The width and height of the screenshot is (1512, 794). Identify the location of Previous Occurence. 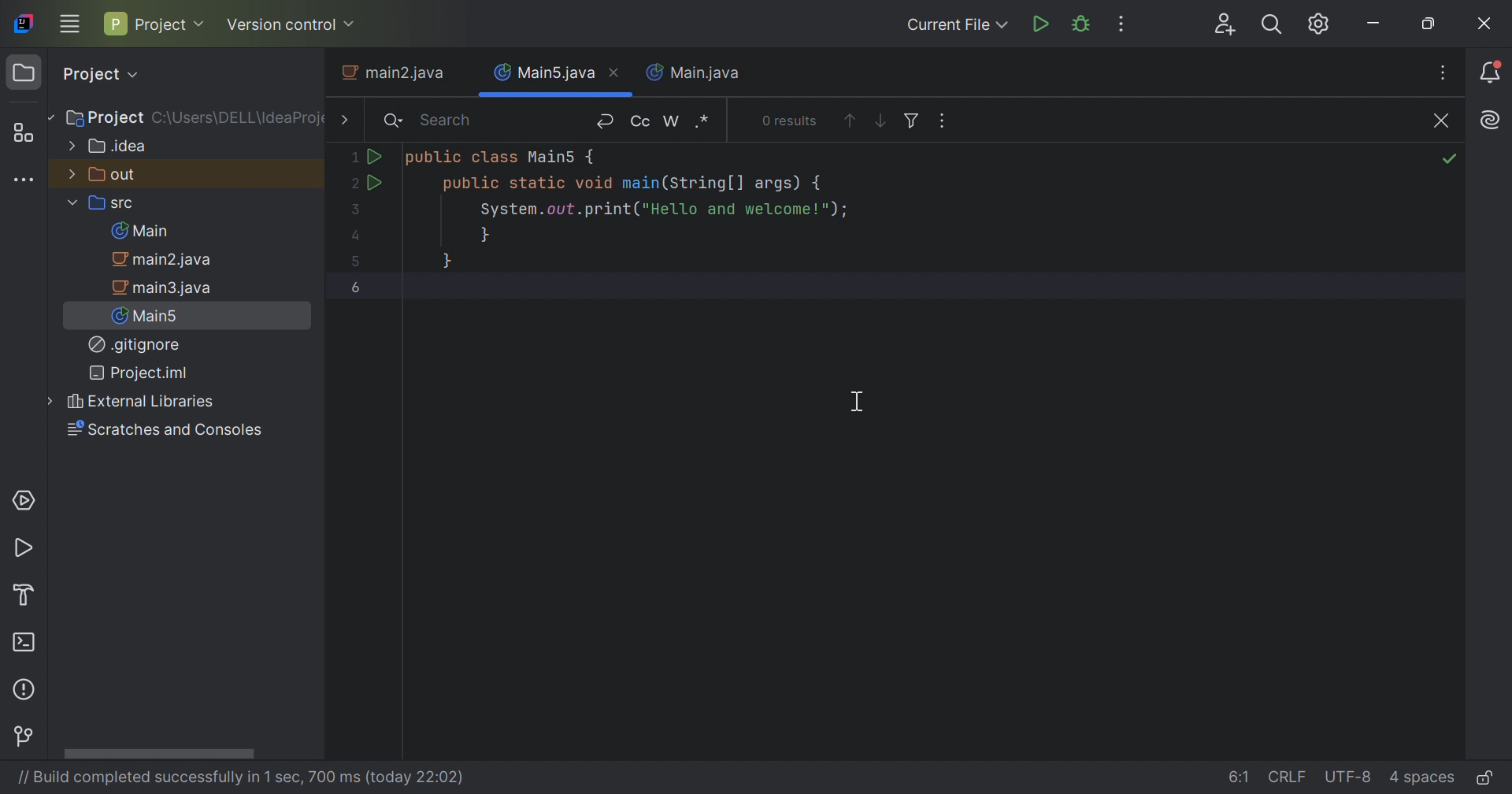
(850, 121).